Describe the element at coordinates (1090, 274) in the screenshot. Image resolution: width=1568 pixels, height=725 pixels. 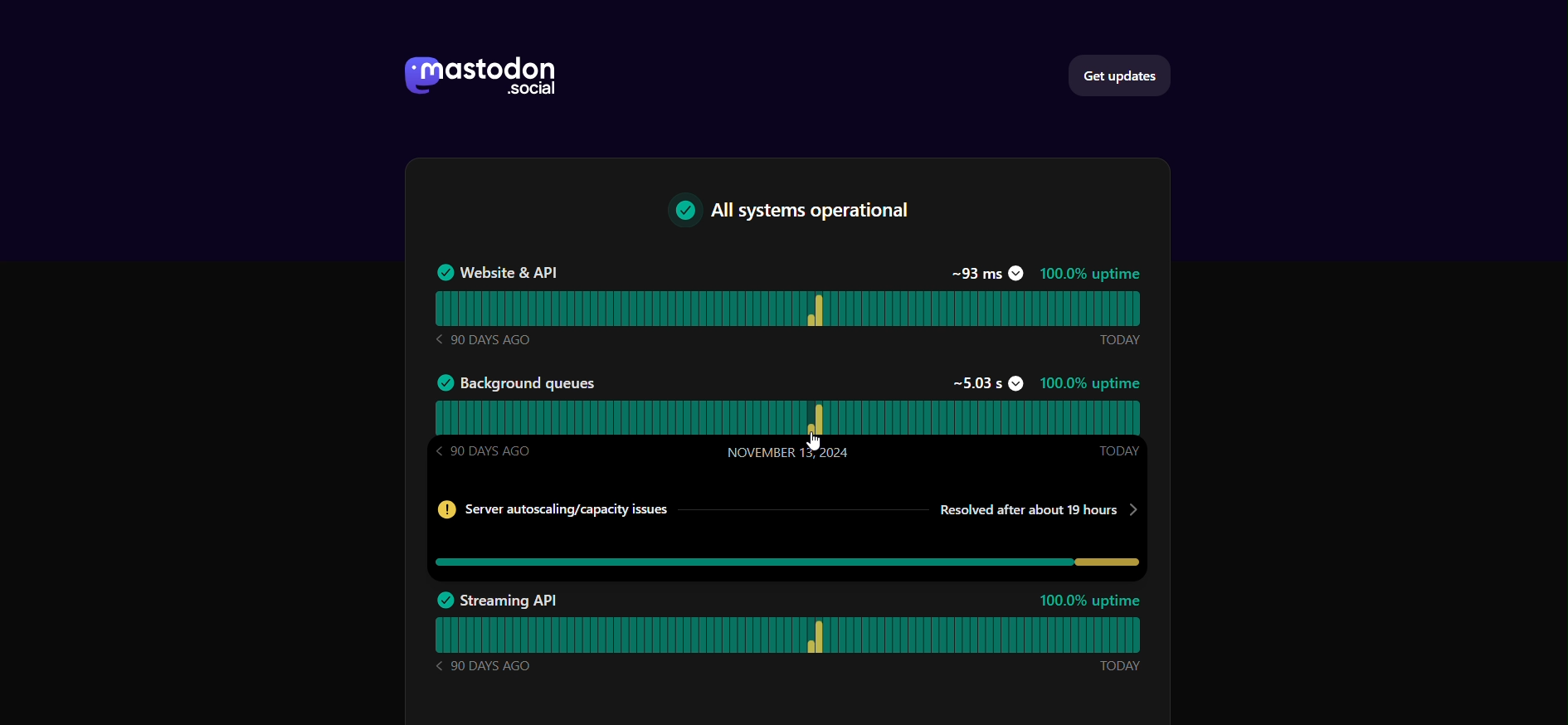
I see `100.0% uptime` at that location.